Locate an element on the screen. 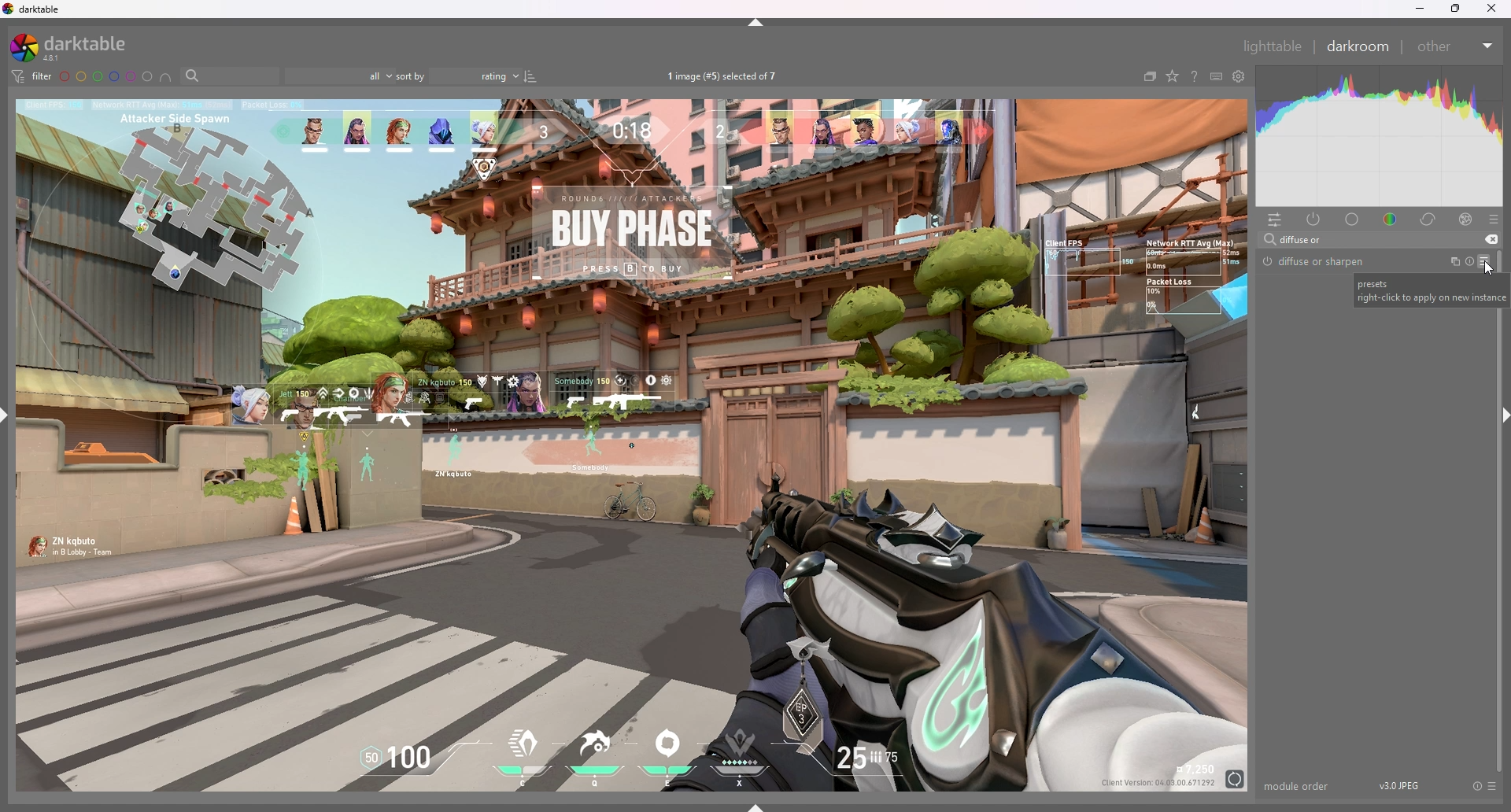 The image size is (1511, 812). filter by images rating is located at coordinates (339, 76).